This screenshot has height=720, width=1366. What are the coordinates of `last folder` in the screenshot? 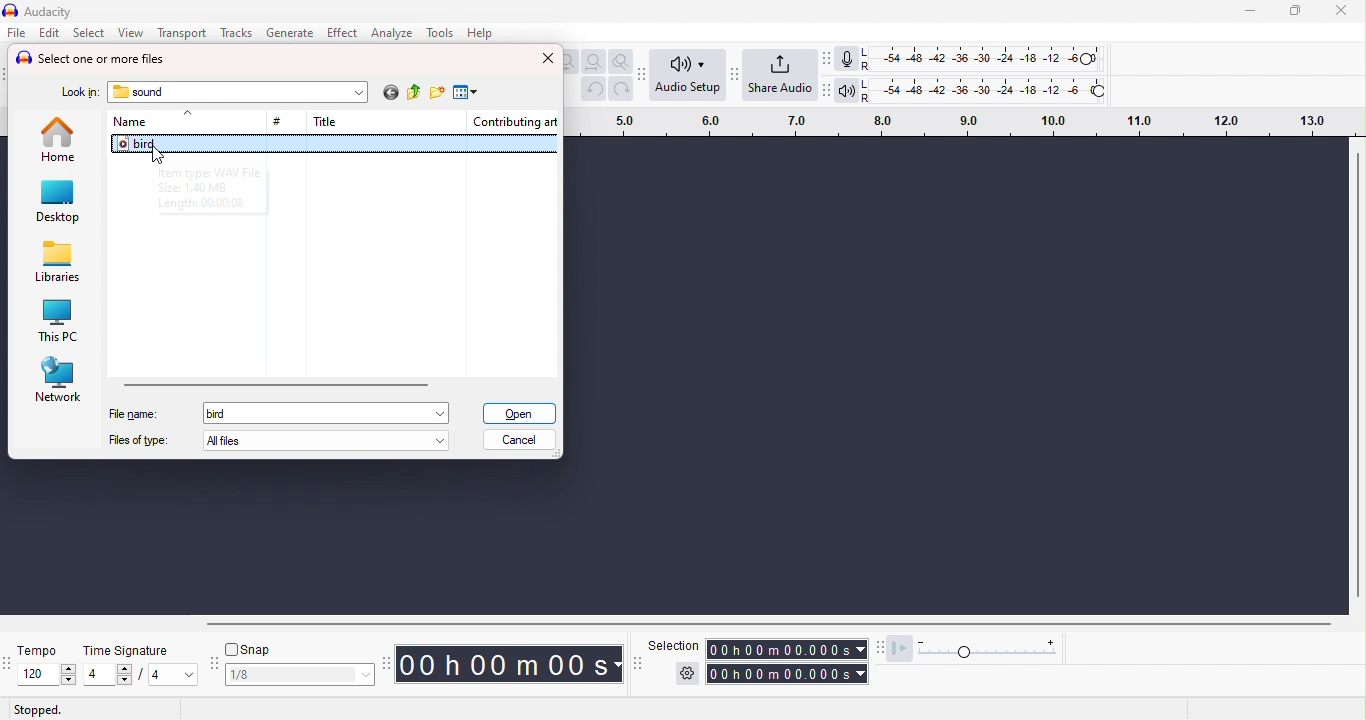 It's located at (389, 94).